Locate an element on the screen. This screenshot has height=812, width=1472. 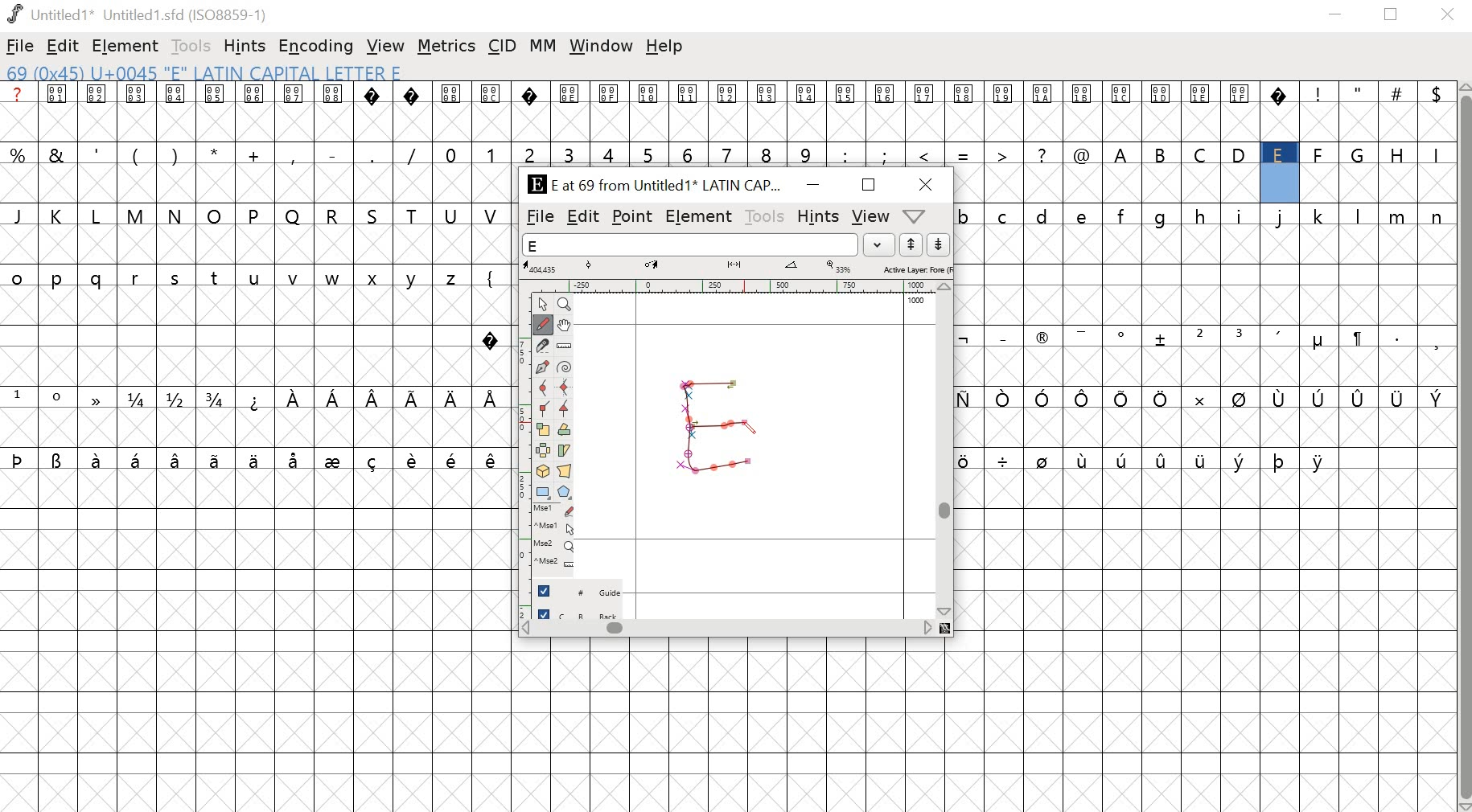
empty cells is located at coordinates (1207, 640).